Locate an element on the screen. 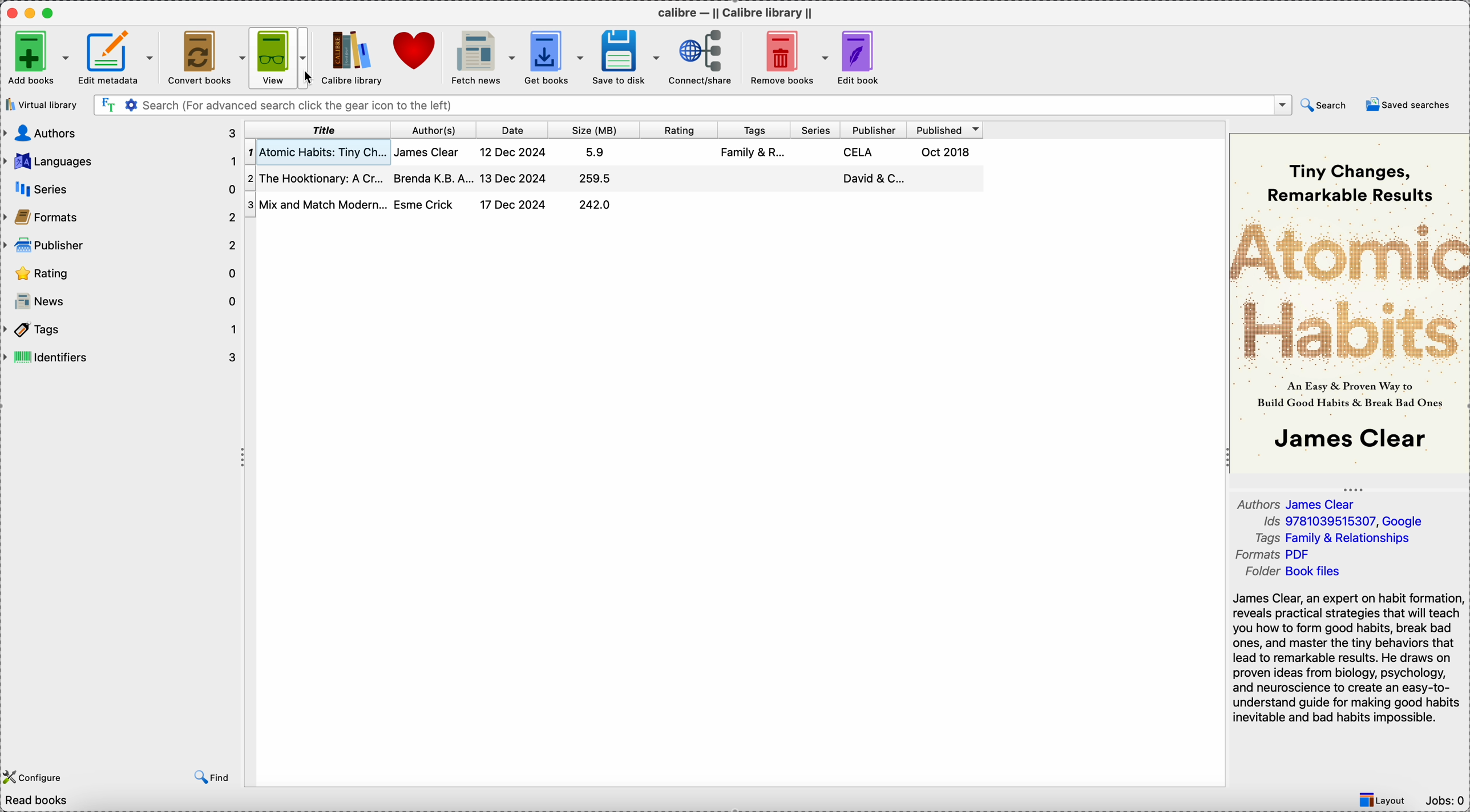 The width and height of the screenshot is (1470, 812). maximize is located at coordinates (50, 12).